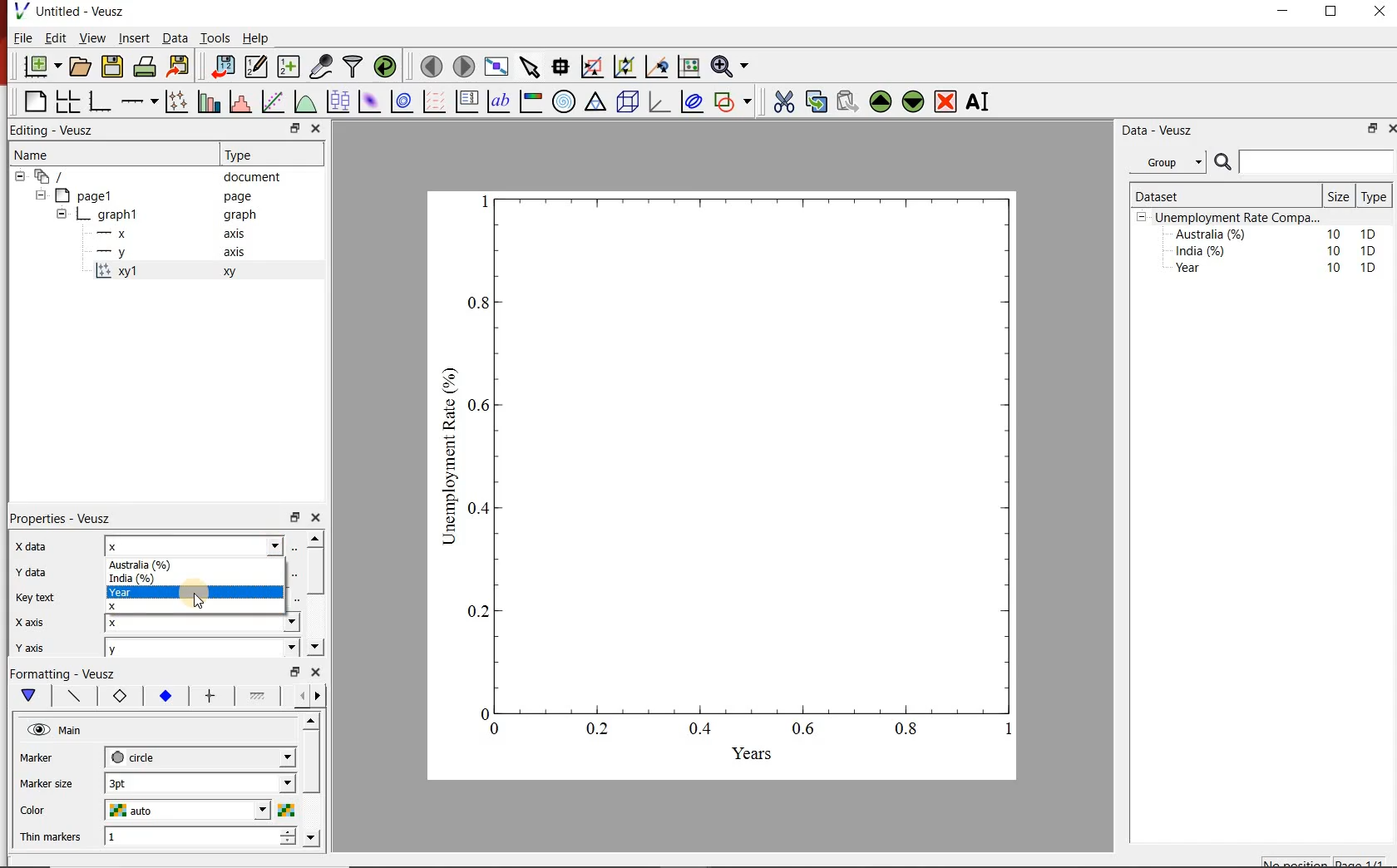  What do you see at coordinates (260, 155) in the screenshot?
I see `Type` at bounding box center [260, 155].